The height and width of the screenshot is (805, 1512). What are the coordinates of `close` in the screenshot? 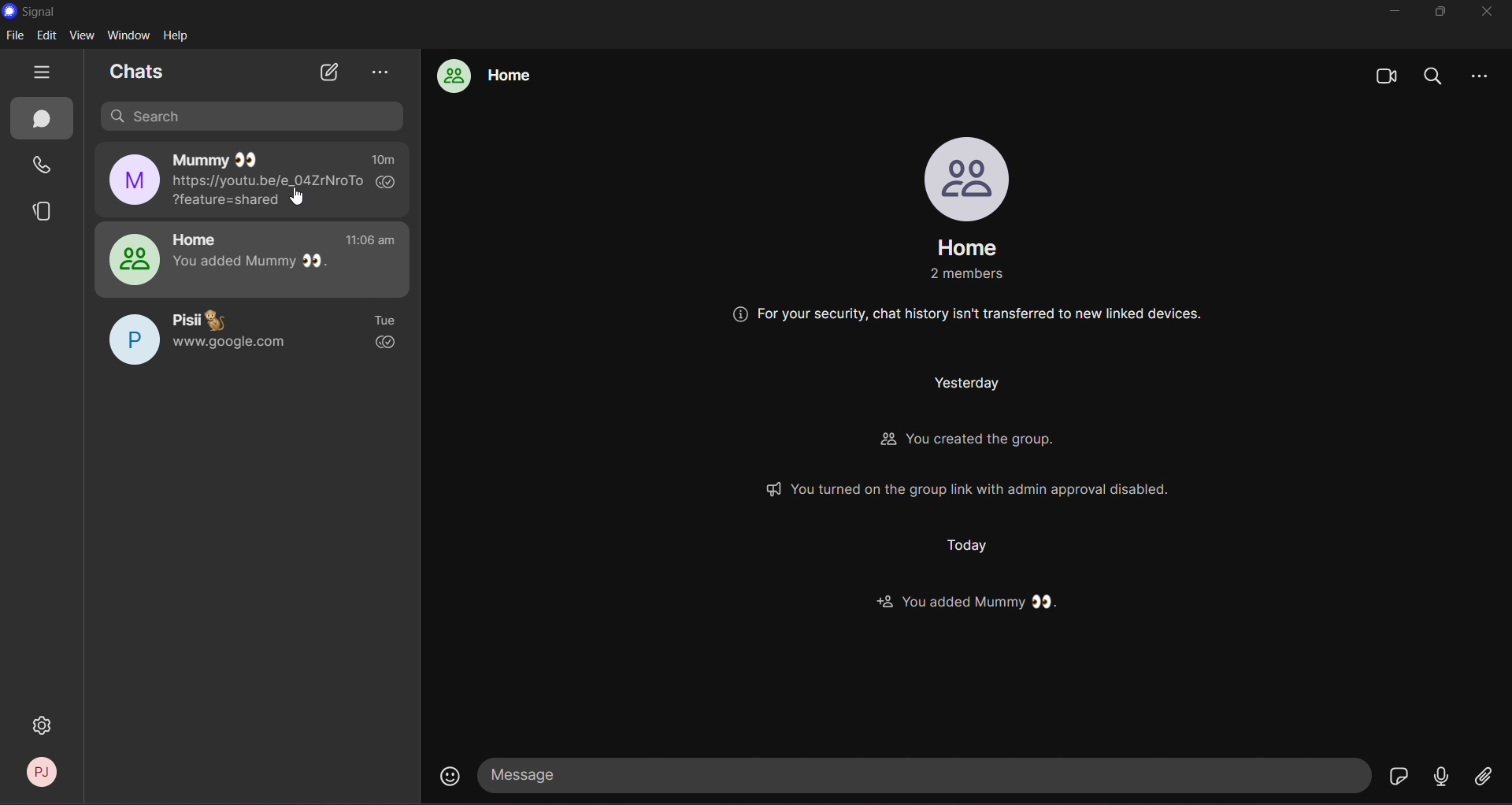 It's located at (1487, 13).